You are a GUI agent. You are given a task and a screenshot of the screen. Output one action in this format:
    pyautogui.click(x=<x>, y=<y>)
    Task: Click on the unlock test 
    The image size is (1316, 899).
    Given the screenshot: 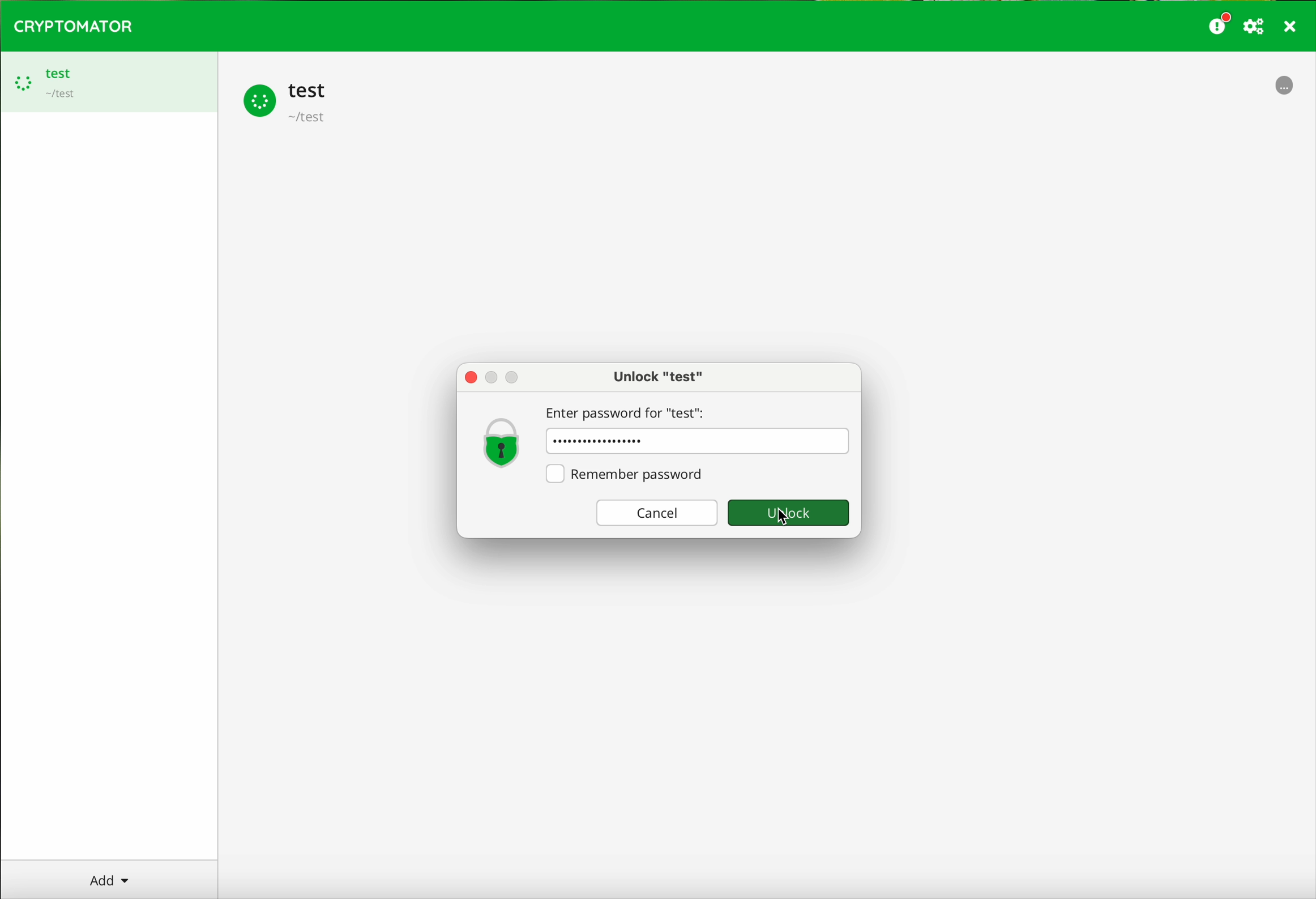 What is the action you would take?
    pyautogui.click(x=658, y=376)
    